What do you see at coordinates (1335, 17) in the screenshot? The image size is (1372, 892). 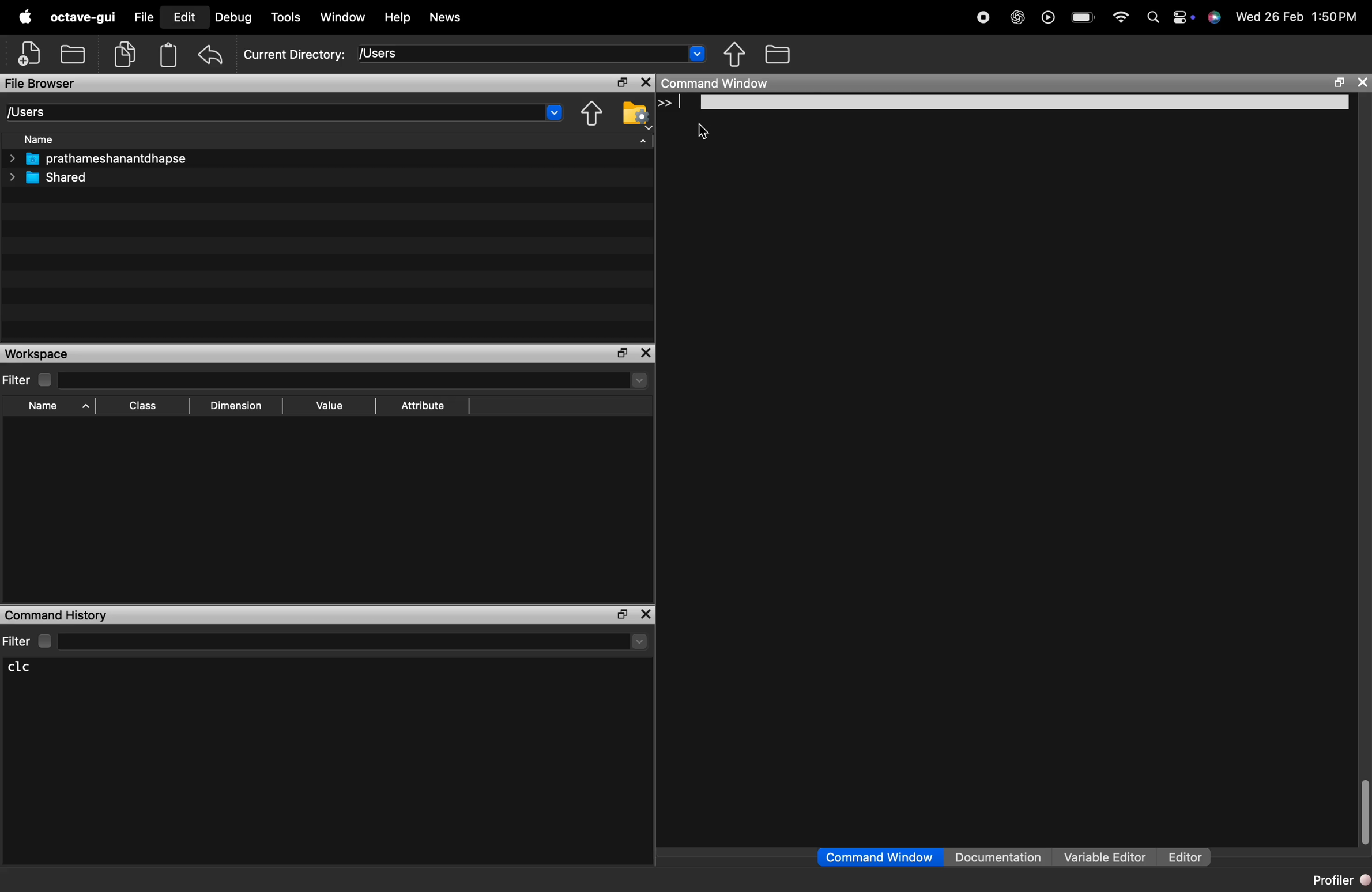 I see `1:50PM` at bounding box center [1335, 17].